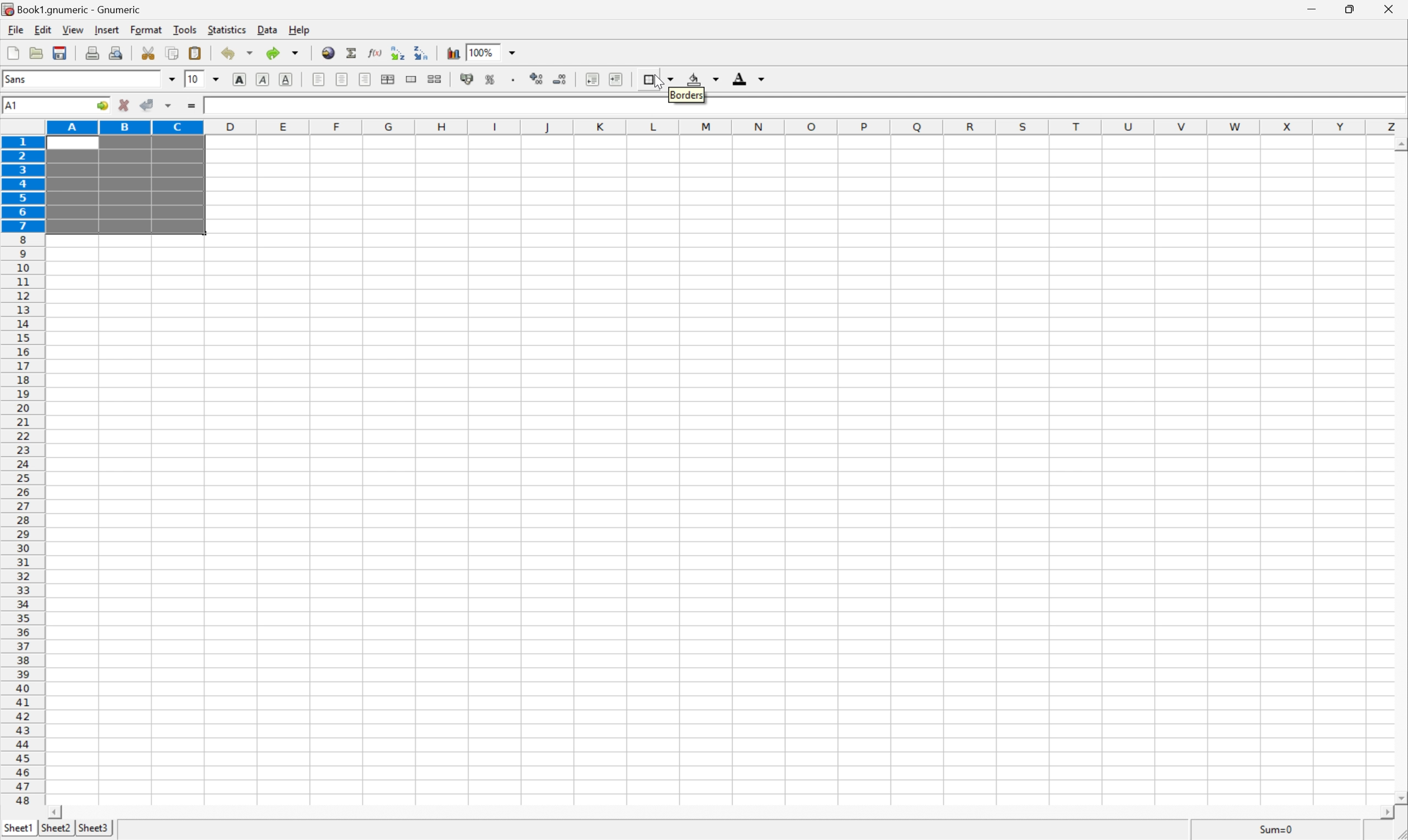  What do you see at coordinates (168, 106) in the screenshot?
I see `accept changes across selection` at bounding box center [168, 106].